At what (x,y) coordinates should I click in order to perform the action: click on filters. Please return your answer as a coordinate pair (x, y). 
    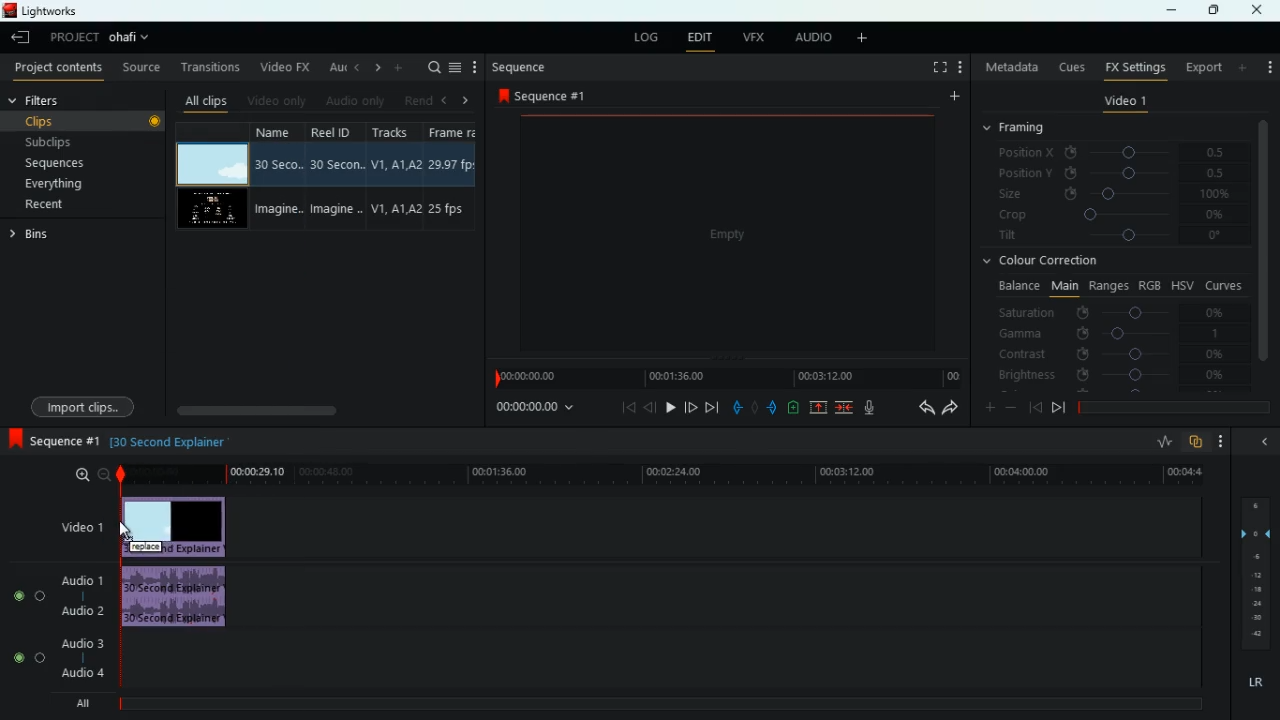
    Looking at the image, I should click on (42, 101).